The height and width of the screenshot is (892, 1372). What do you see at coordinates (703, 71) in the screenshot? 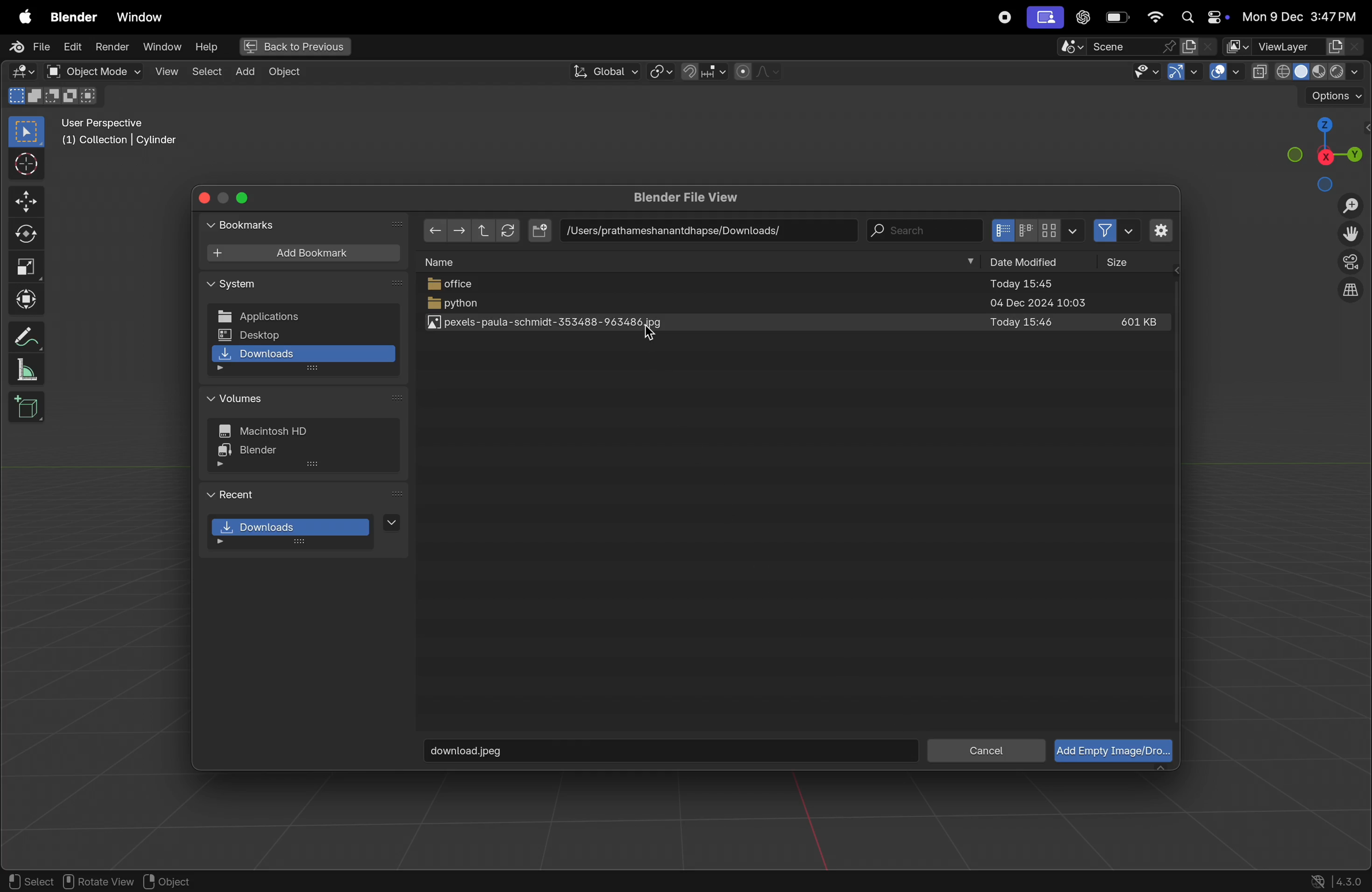
I see `snapping` at bounding box center [703, 71].